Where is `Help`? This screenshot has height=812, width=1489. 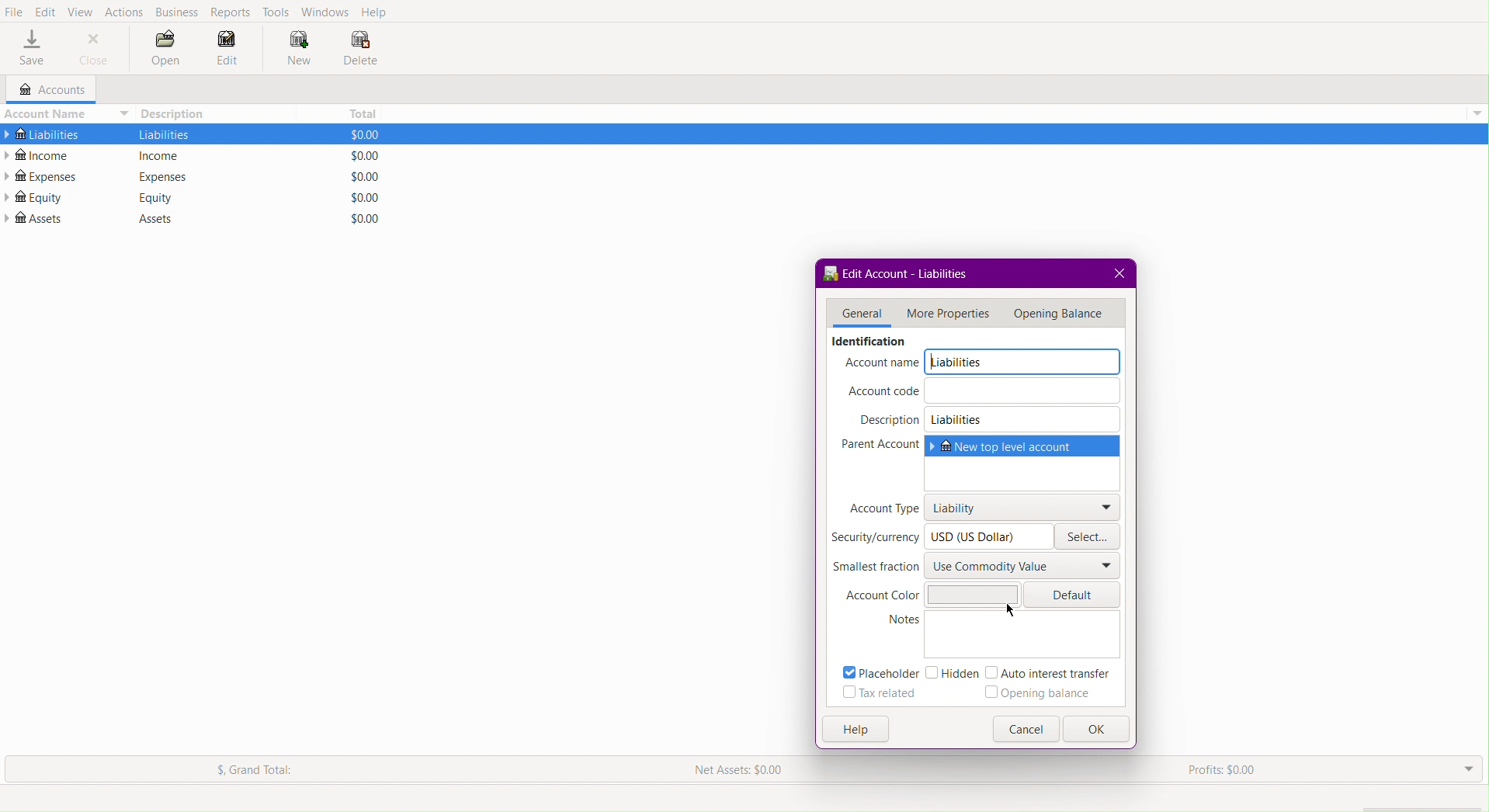 Help is located at coordinates (377, 12).